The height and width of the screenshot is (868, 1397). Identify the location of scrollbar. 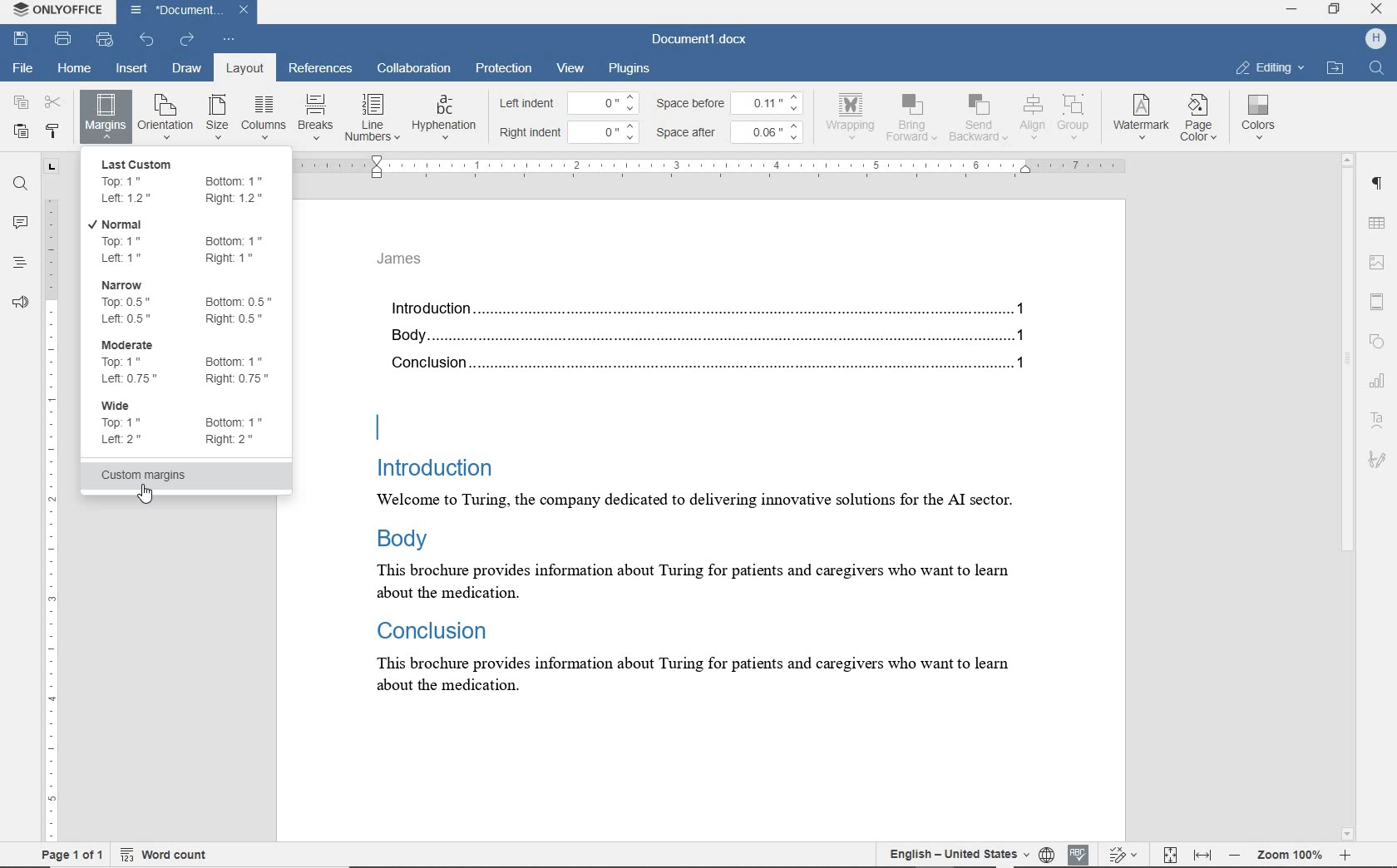
(1348, 497).